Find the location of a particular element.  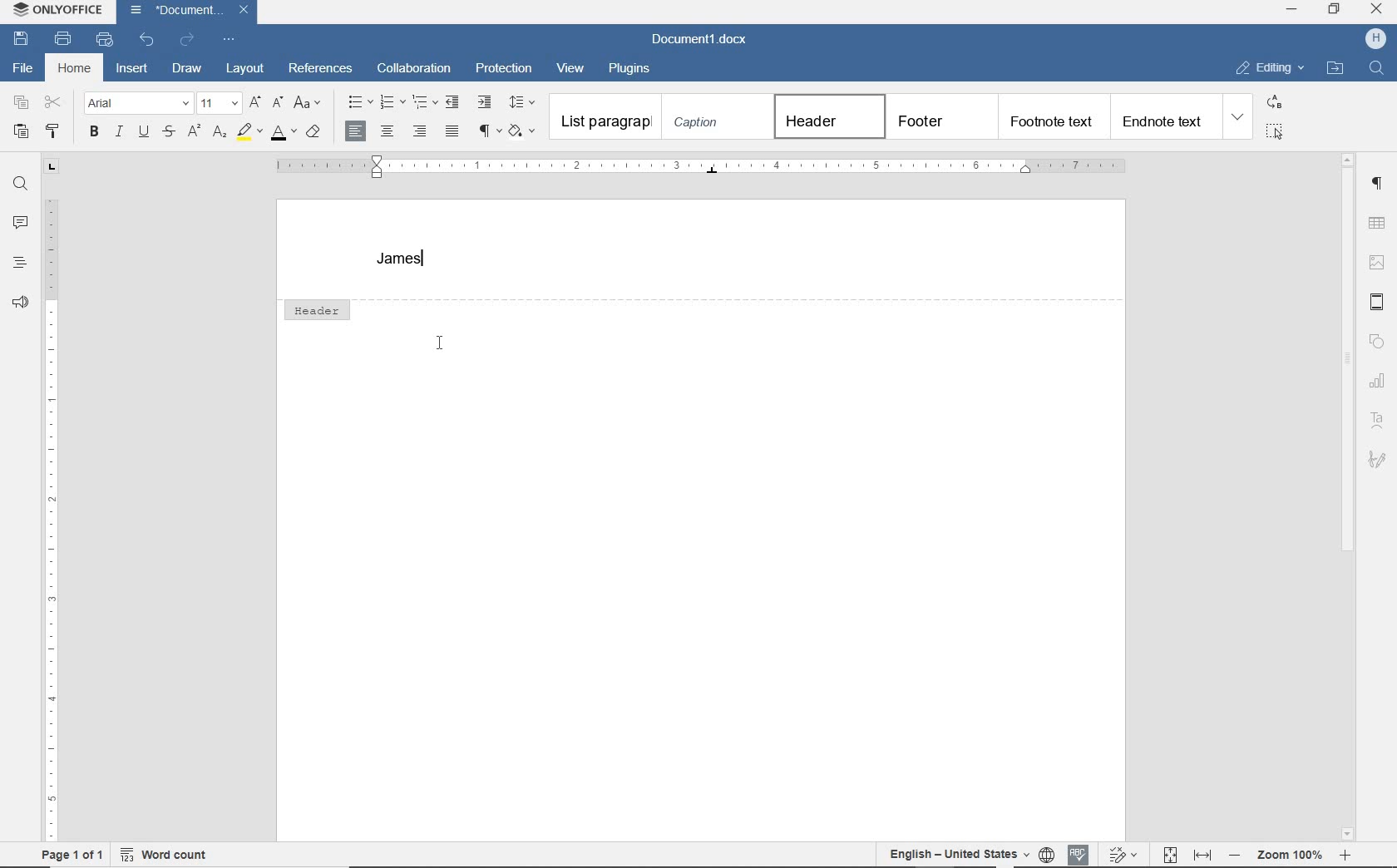

Normal is located at coordinates (605, 117).